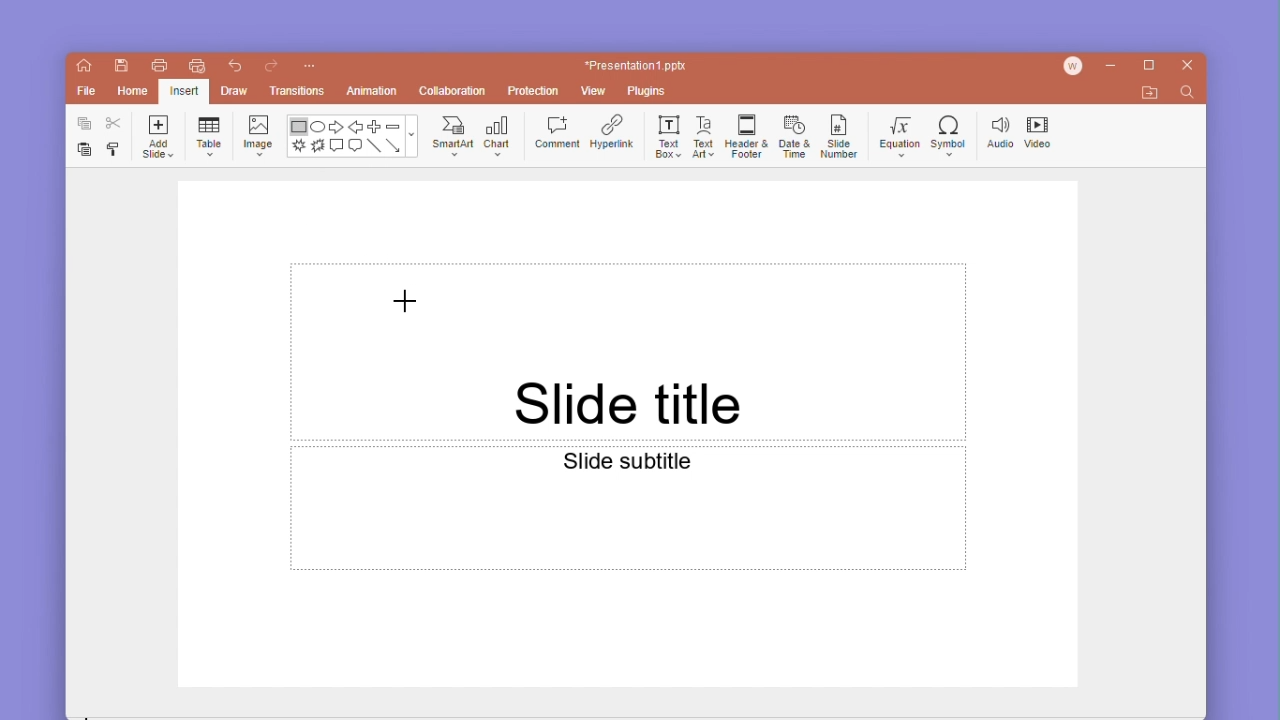  Describe the element at coordinates (235, 89) in the screenshot. I see `draw` at that location.